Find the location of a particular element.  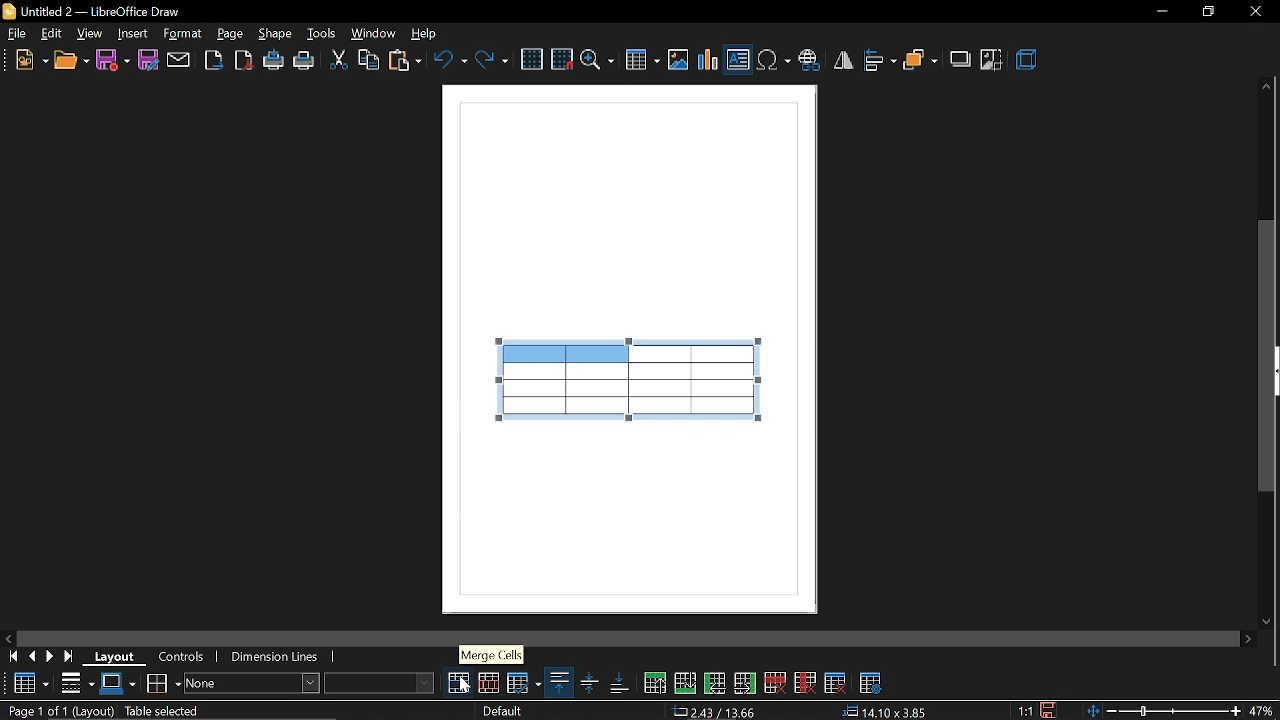

edit is located at coordinates (50, 32).